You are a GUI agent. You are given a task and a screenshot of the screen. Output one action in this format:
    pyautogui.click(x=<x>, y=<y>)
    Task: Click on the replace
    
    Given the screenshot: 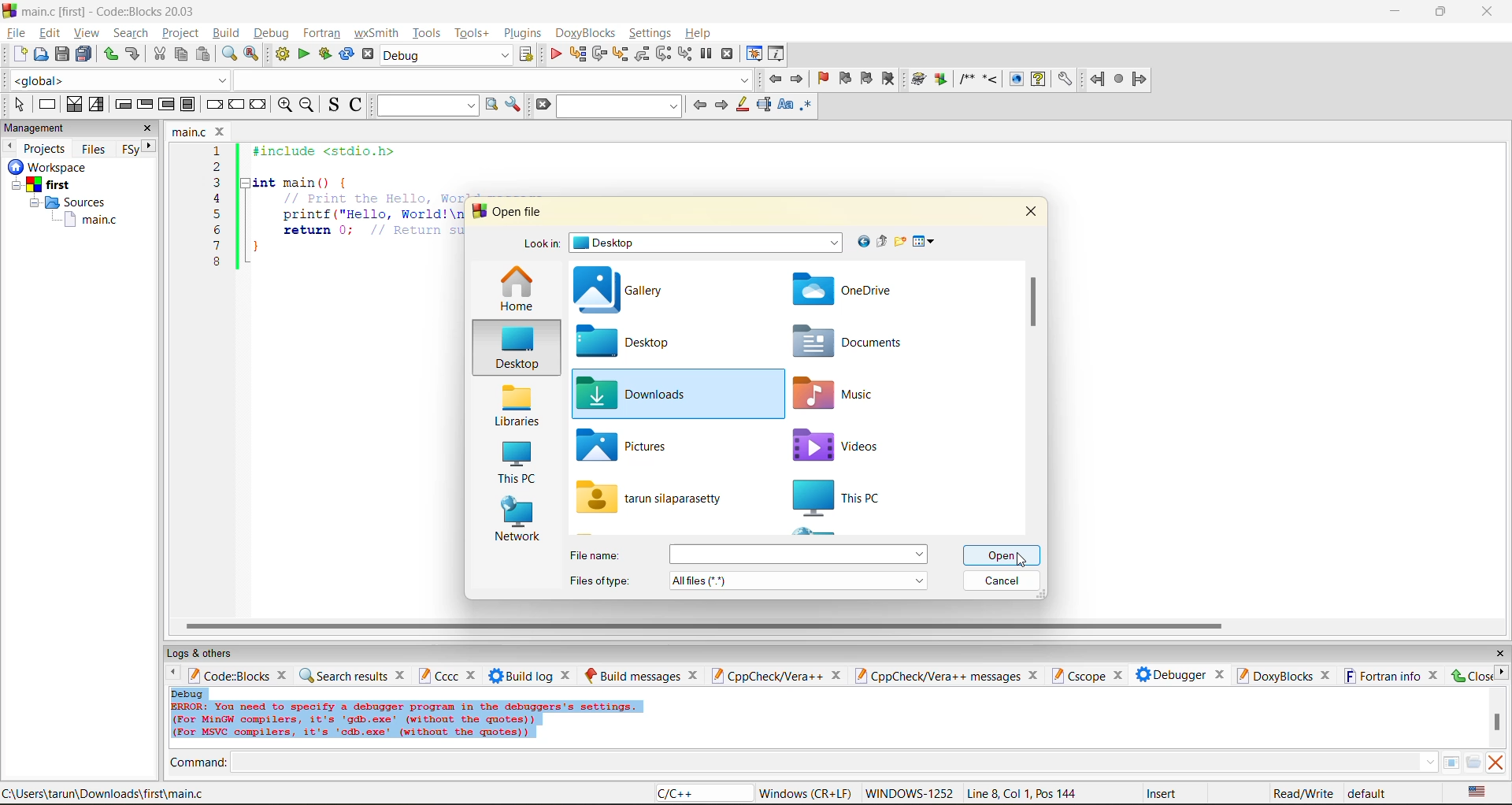 What is the action you would take?
    pyautogui.click(x=252, y=54)
    